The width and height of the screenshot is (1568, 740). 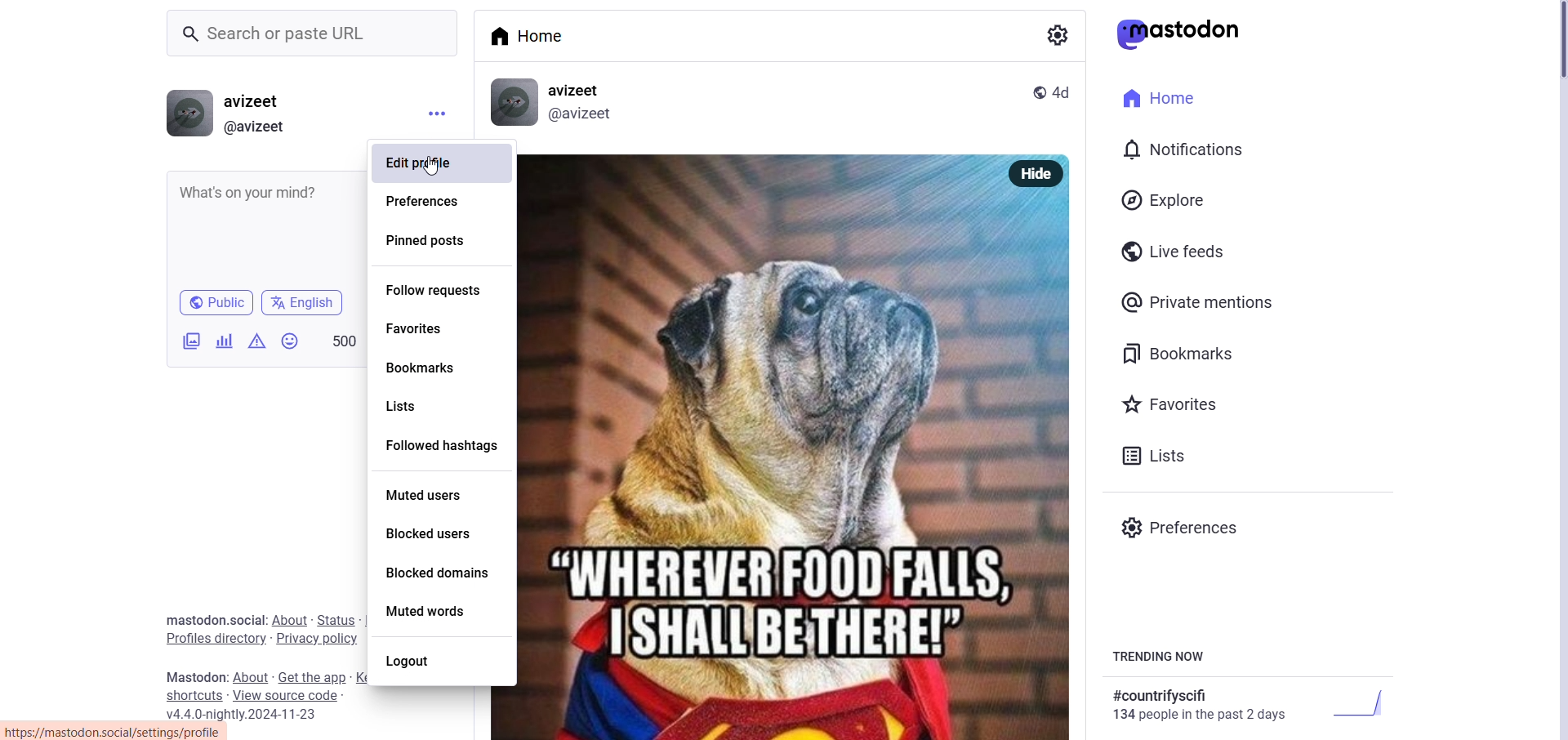 I want to click on bookmark, so click(x=1180, y=354).